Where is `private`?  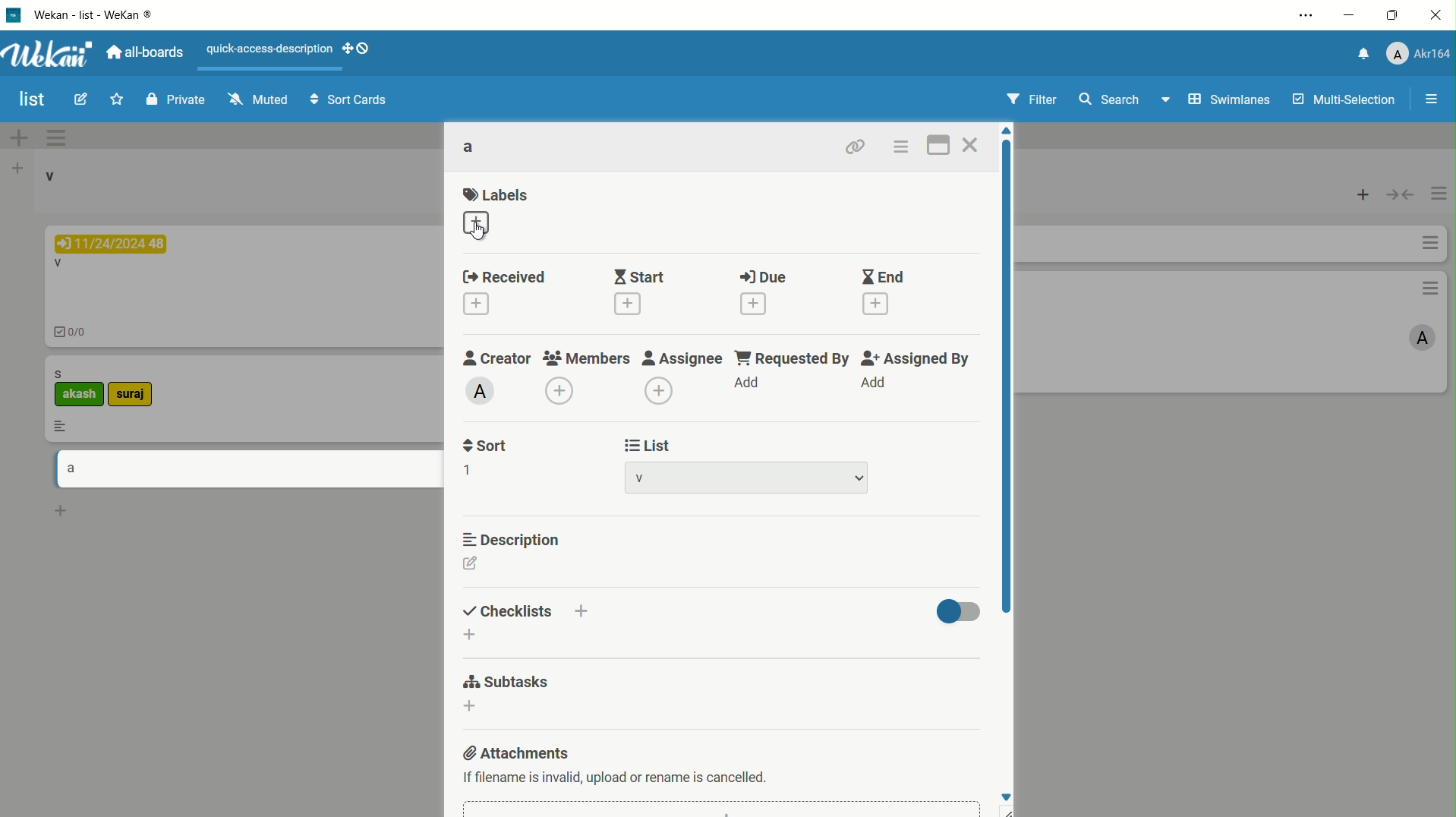 private is located at coordinates (173, 102).